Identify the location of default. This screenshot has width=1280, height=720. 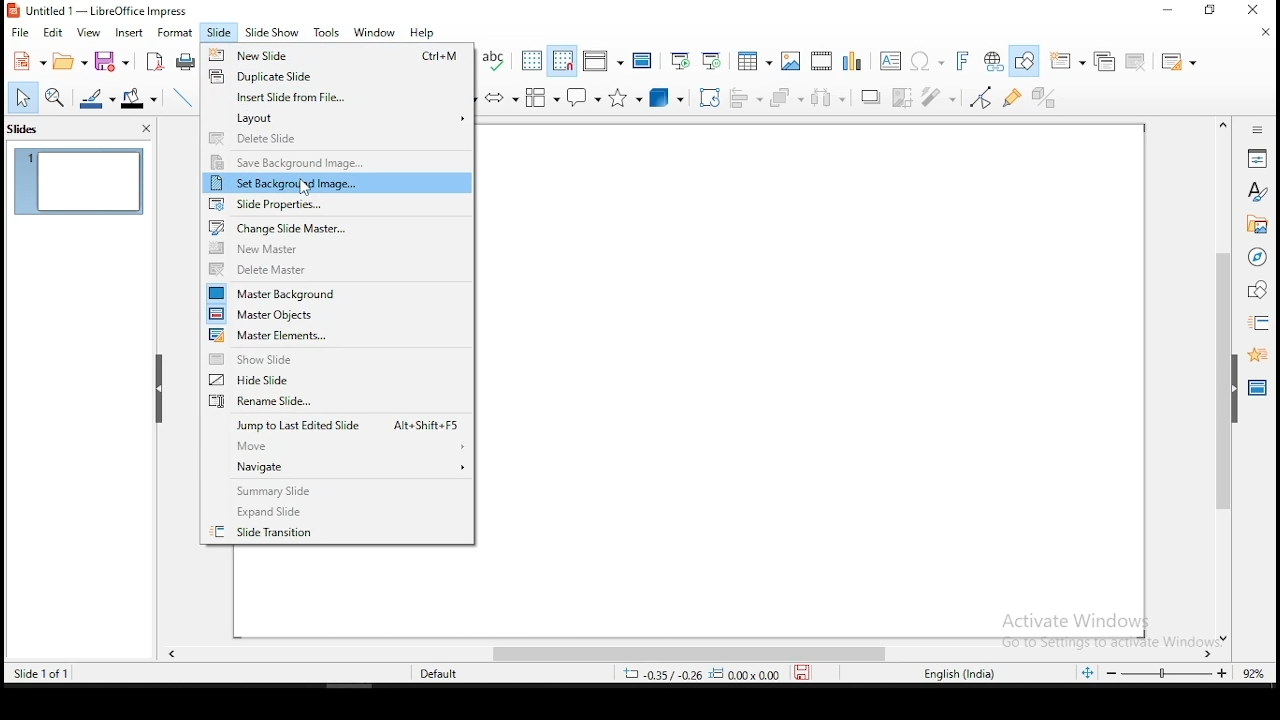
(426, 674).